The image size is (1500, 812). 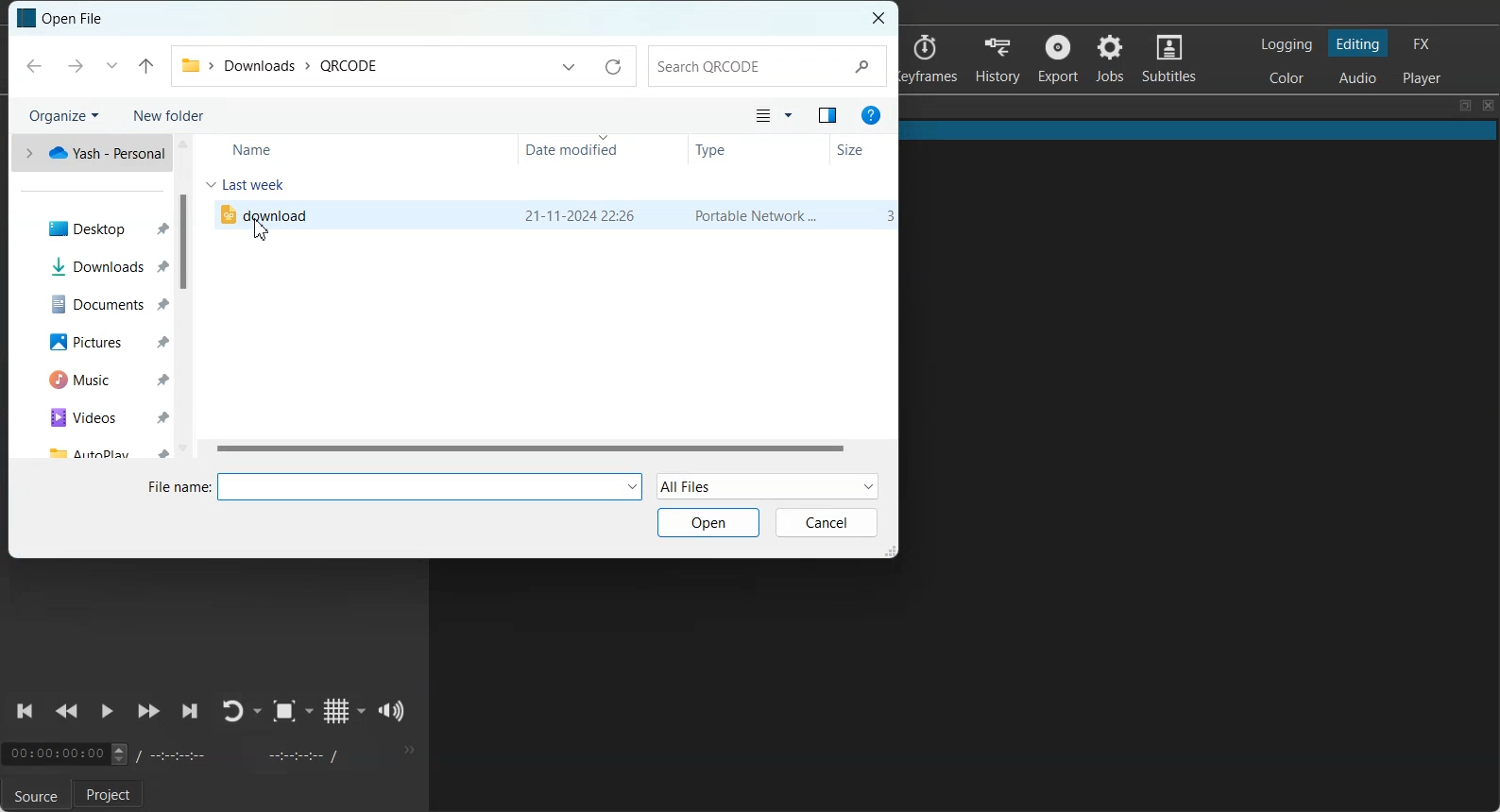 I want to click on New Folder, so click(x=169, y=114).